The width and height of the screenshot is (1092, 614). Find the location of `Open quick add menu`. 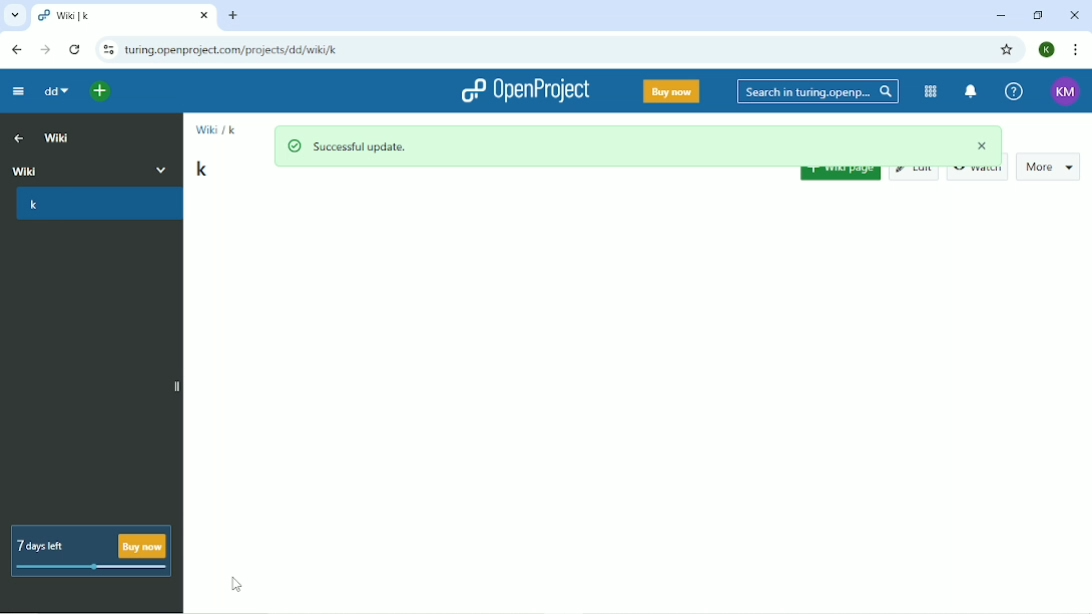

Open quick add menu is located at coordinates (97, 90).